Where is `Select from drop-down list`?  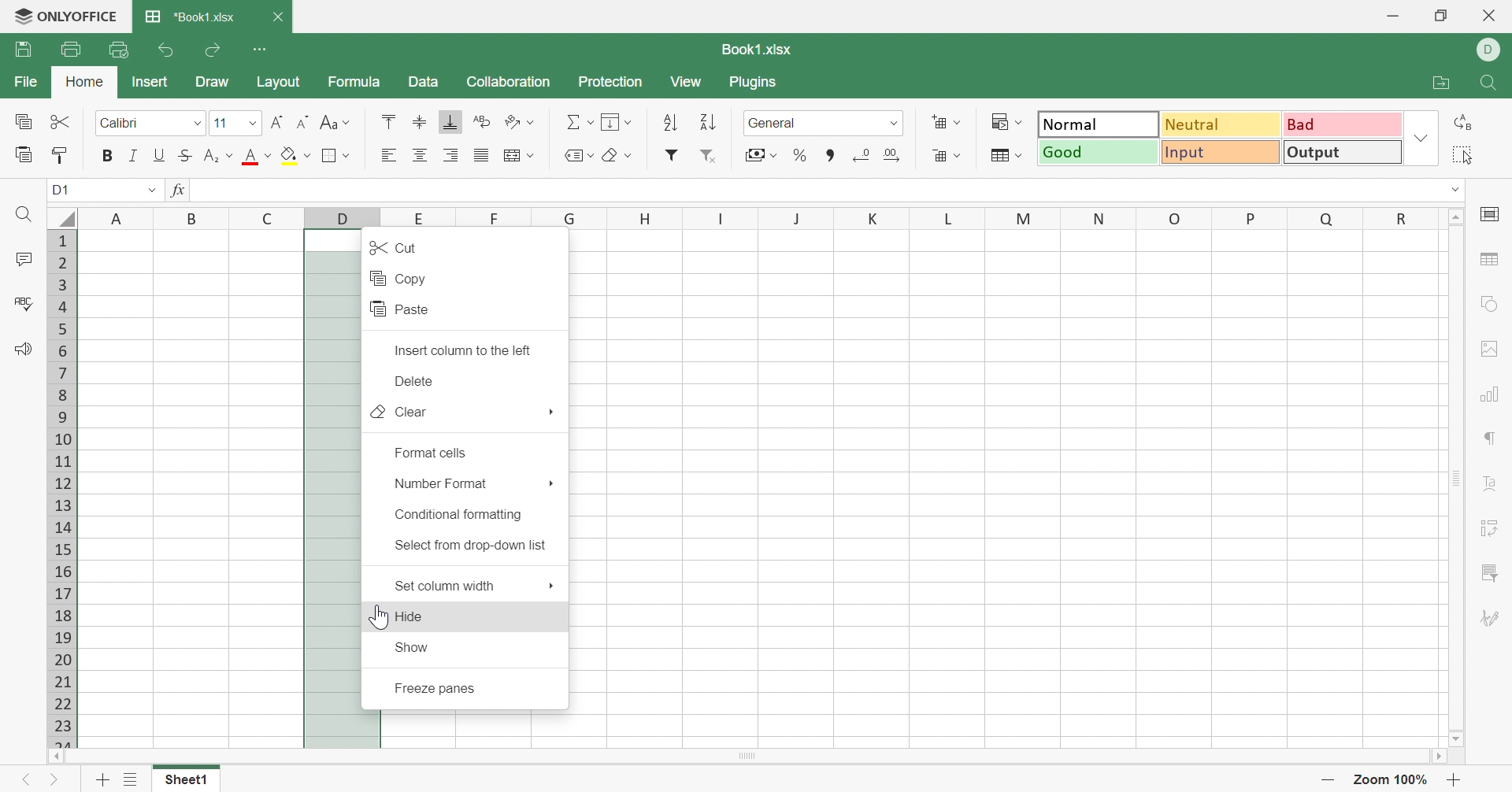 Select from drop-down list is located at coordinates (472, 546).